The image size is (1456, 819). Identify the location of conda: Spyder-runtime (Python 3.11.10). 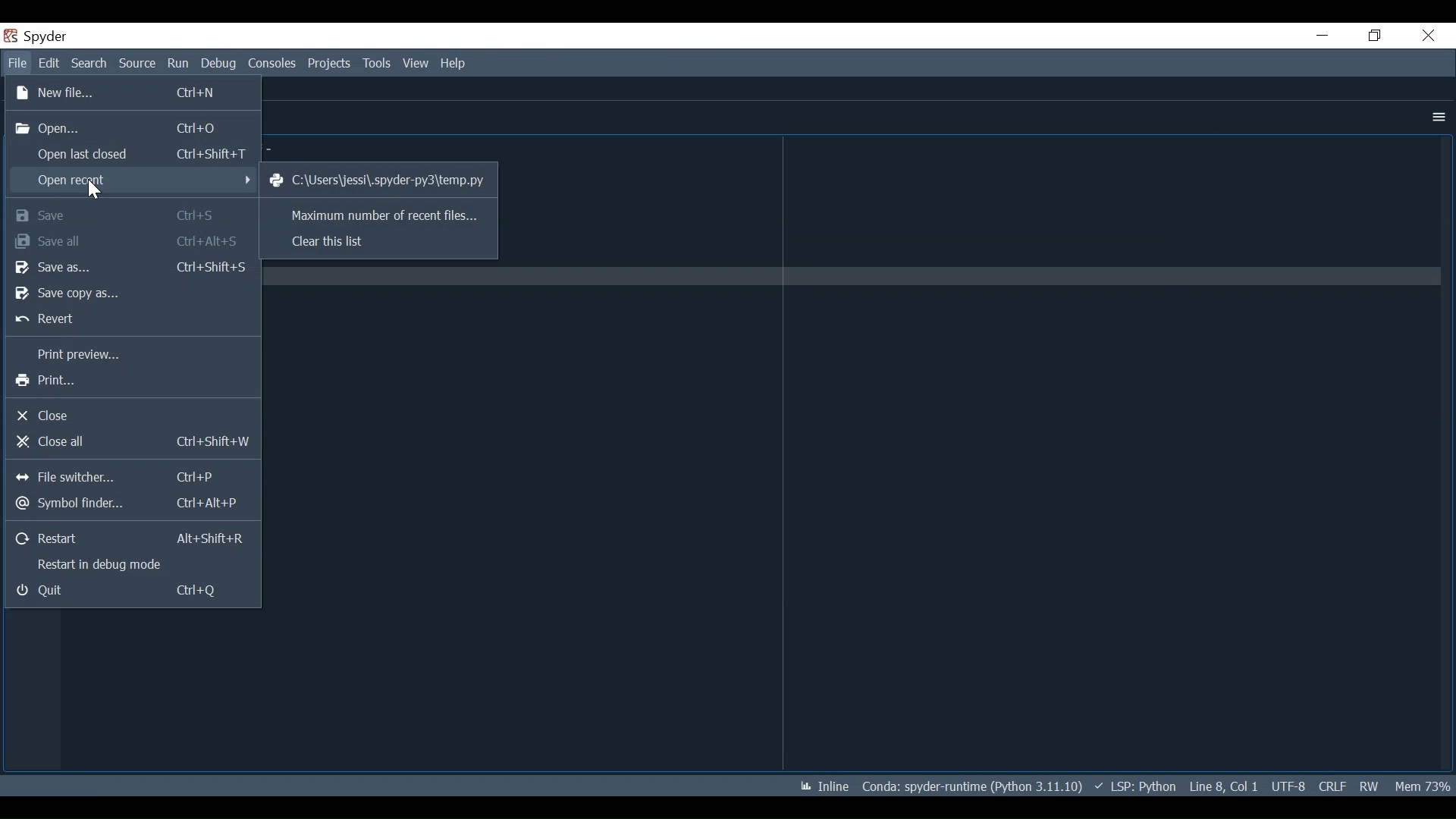
(972, 786).